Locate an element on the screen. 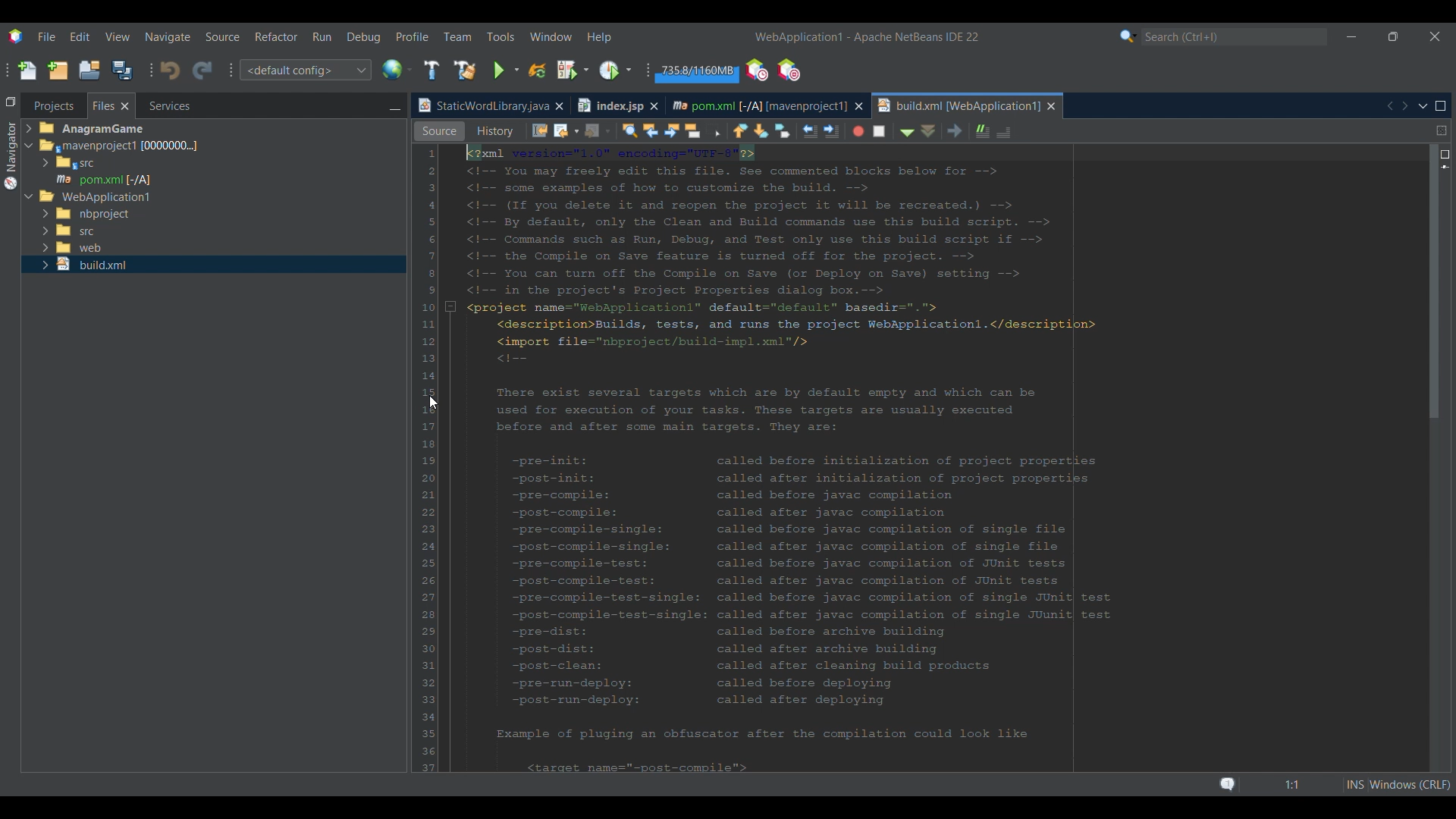  Current tab highlighted is located at coordinates (482, 106).